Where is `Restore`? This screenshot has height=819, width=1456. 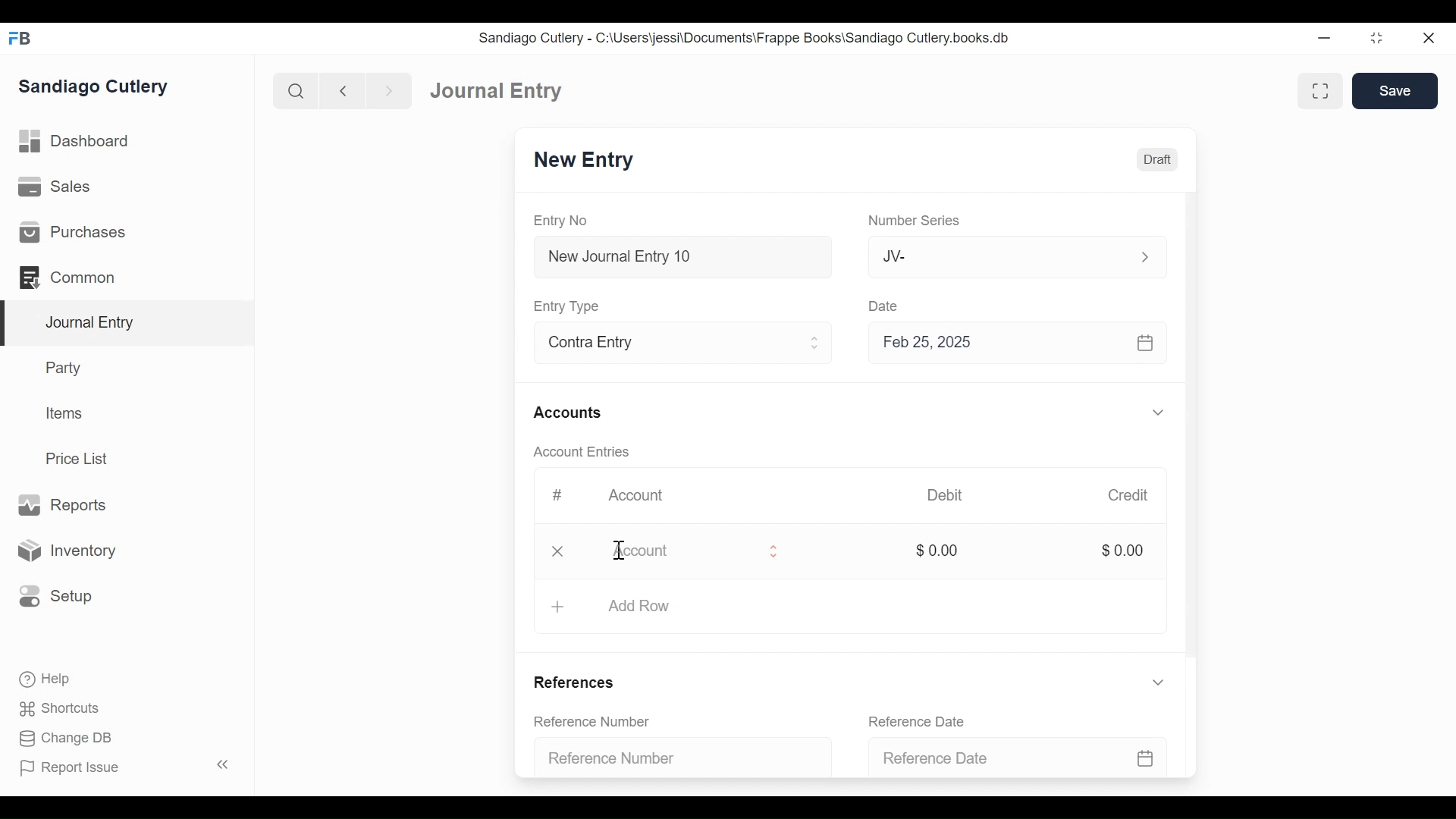
Restore is located at coordinates (1376, 39).